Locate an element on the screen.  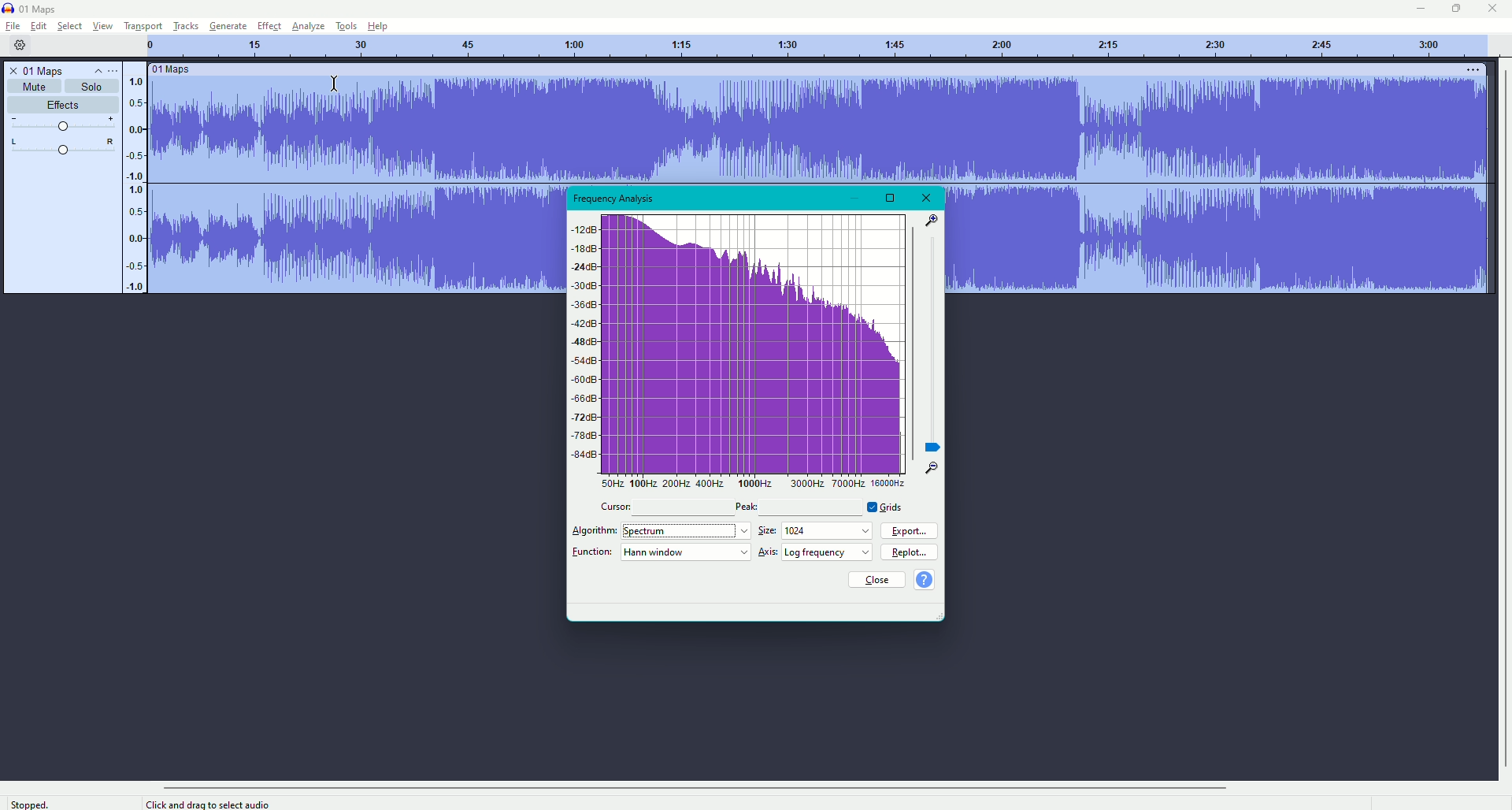
click and drag to select audio is located at coordinates (209, 804).